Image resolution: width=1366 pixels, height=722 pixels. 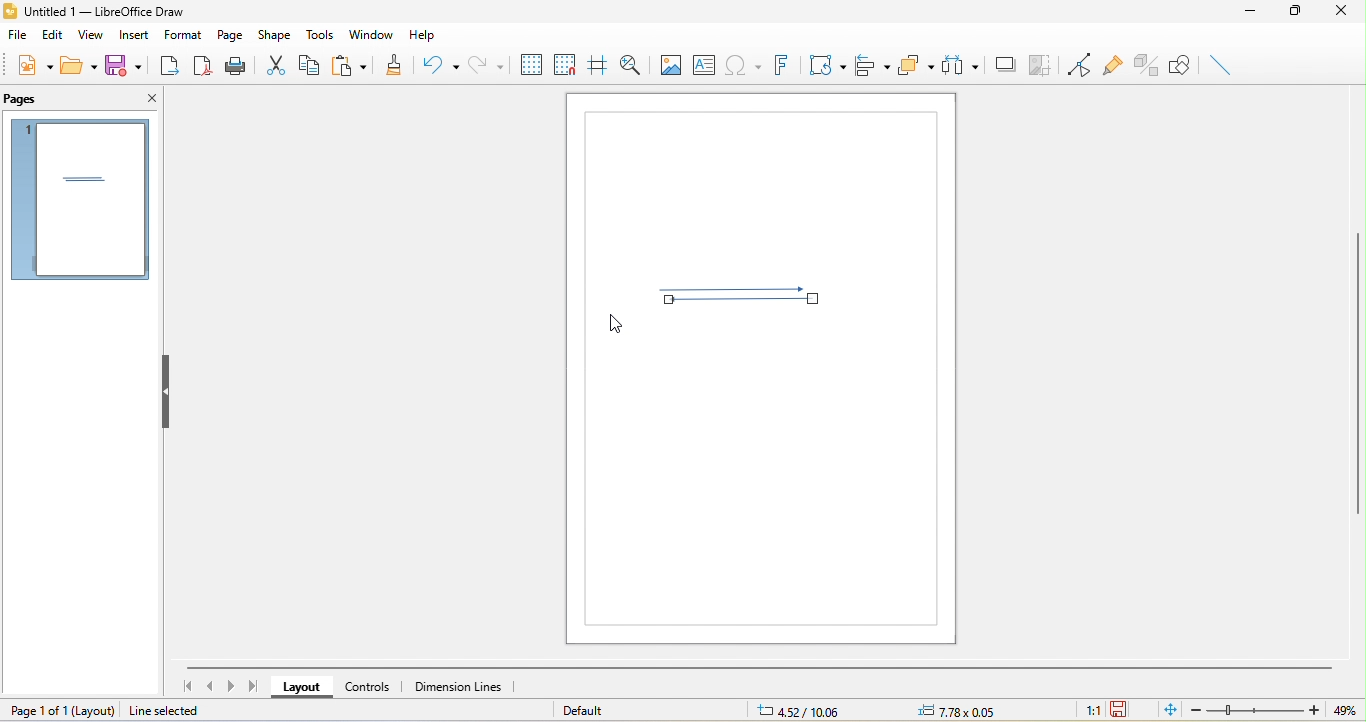 I want to click on 1:1, so click(x=1087, y=711).